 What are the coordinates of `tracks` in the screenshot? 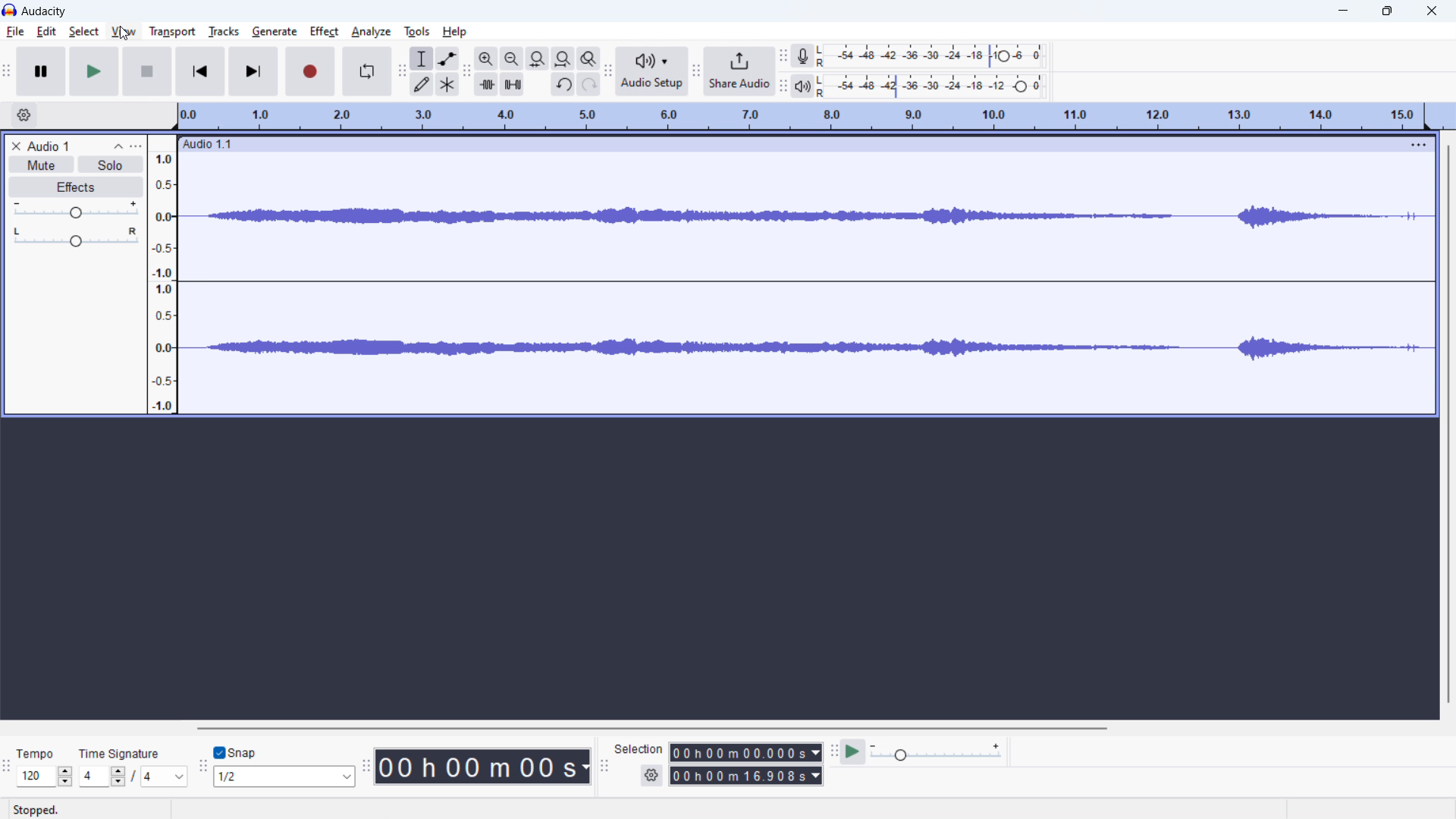 It's located at (223, 32).